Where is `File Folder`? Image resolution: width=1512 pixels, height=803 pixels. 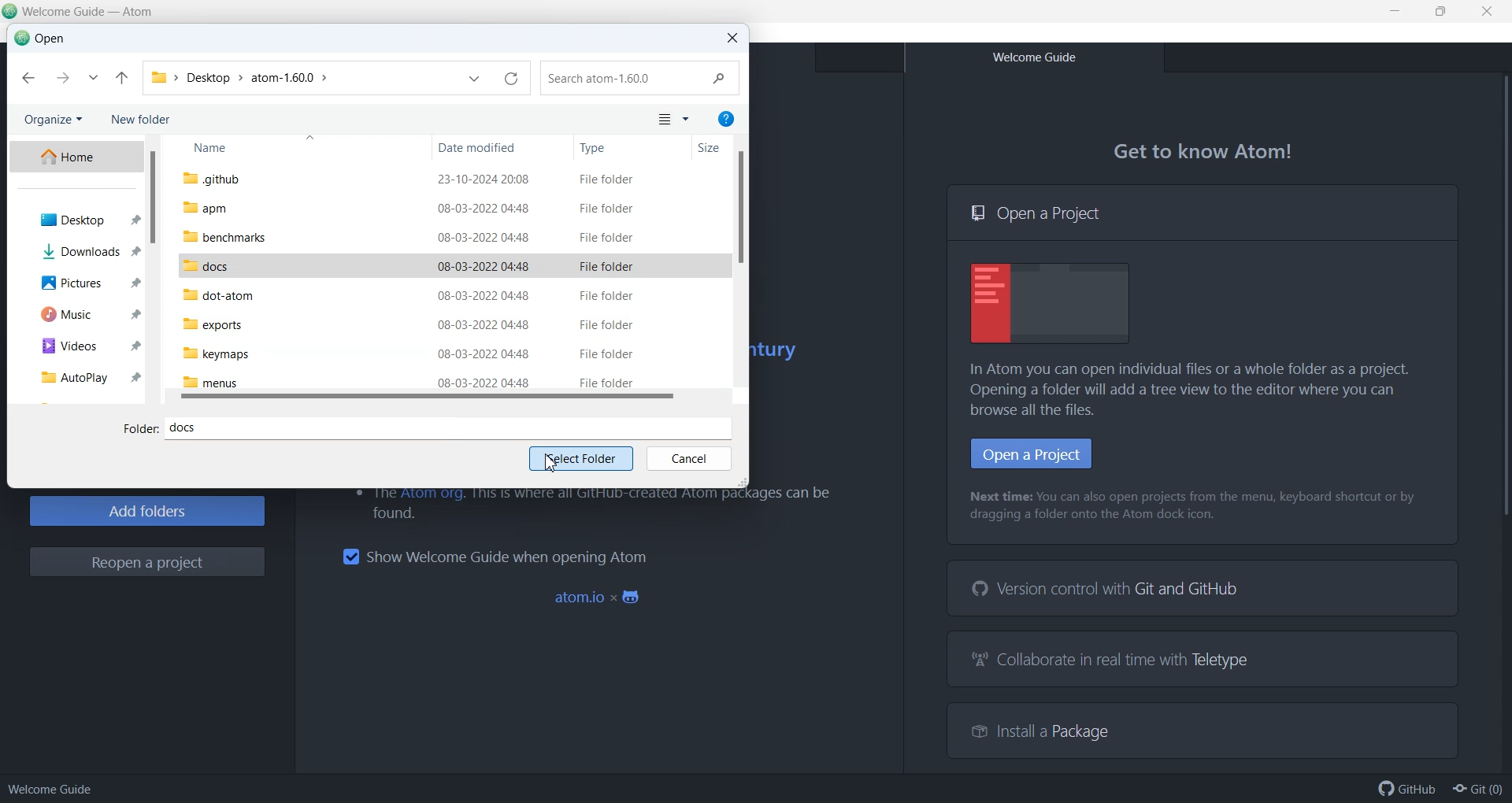
File Folder is located at coordinates (608, 179).